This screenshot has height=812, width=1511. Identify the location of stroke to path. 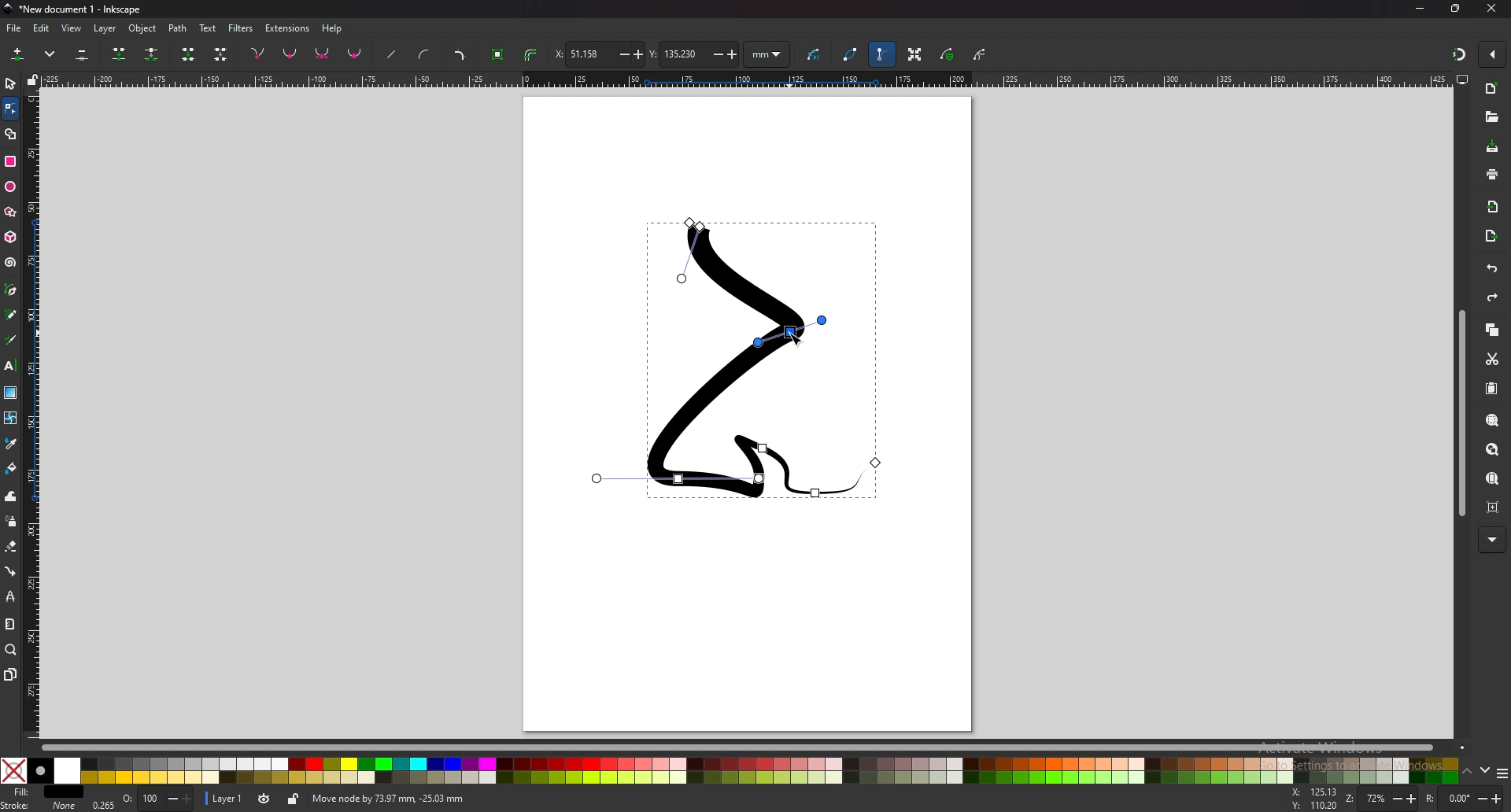
(531, 55).